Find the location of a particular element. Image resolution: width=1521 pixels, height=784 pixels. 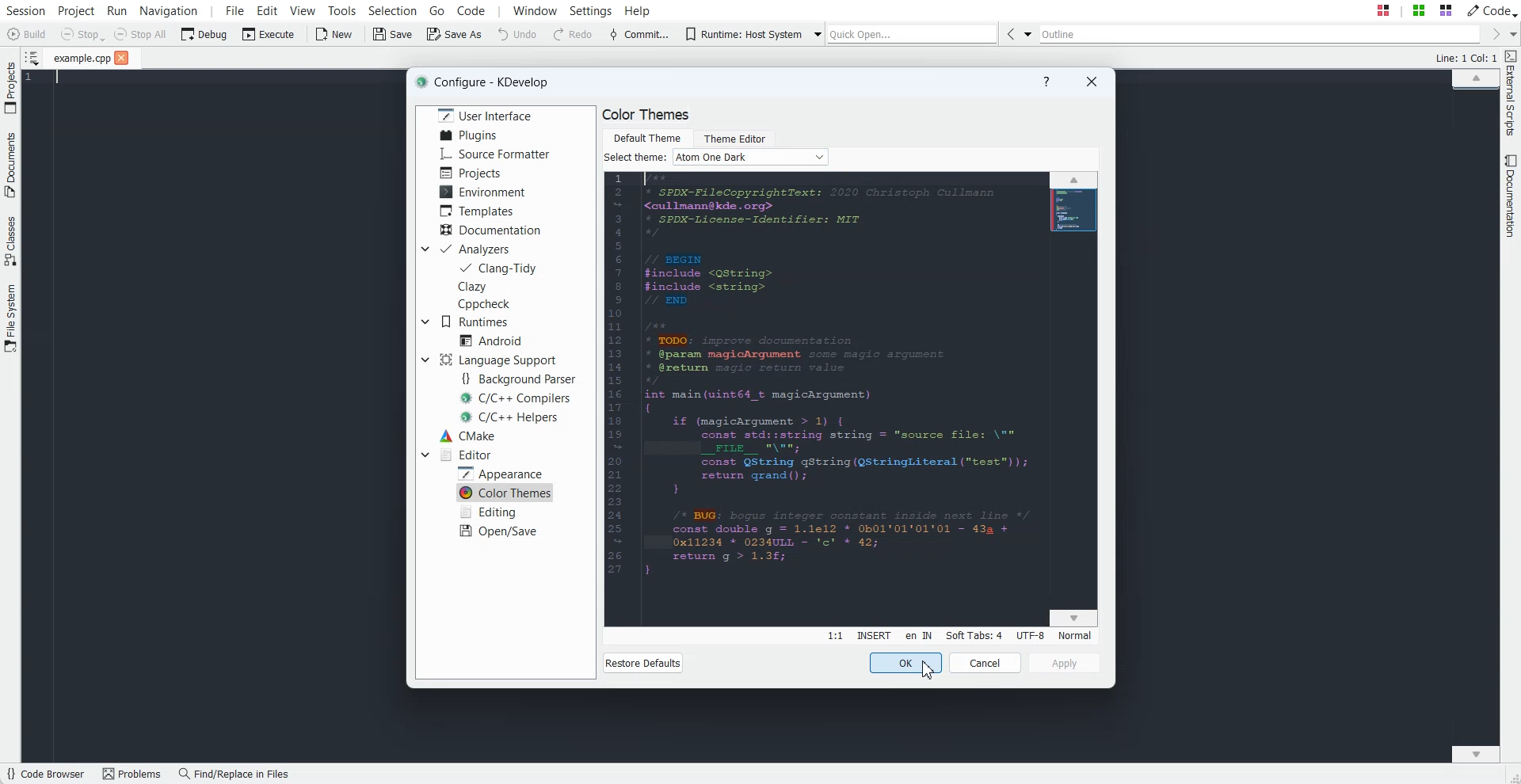

C/C++ Compilers is located at coordinates (517, 398).